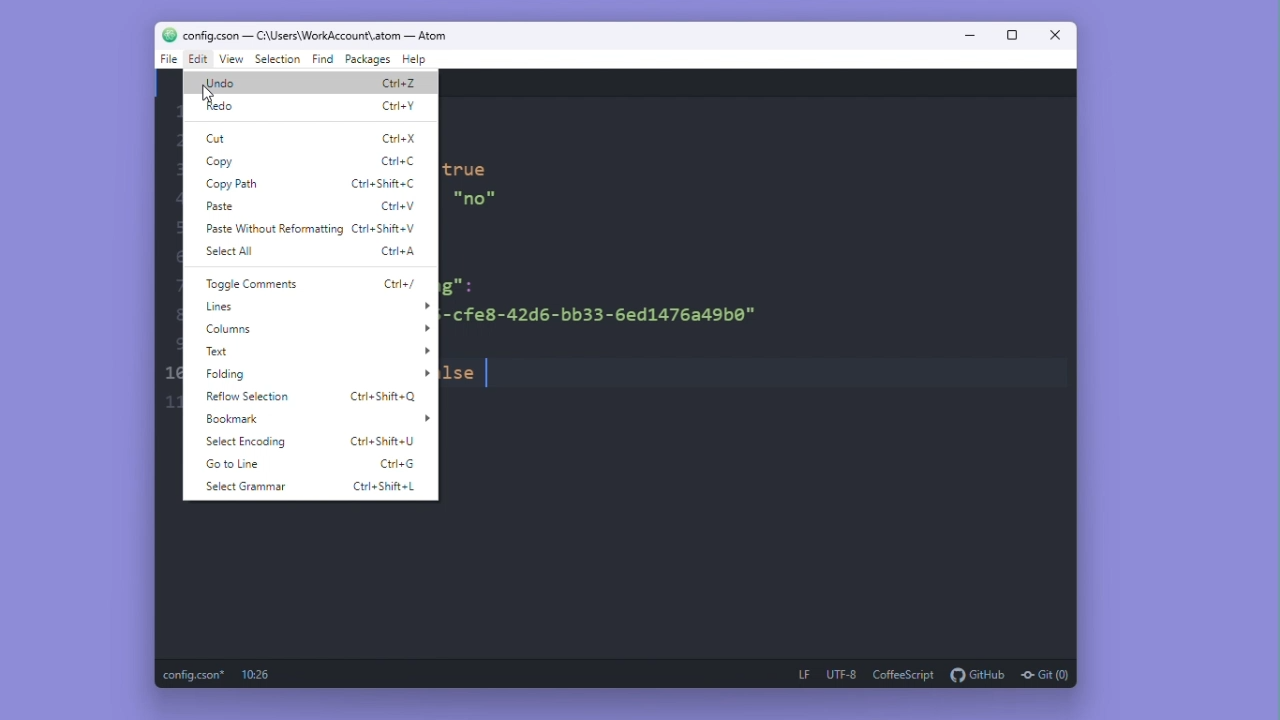 The height and width of the screenshot is (720, 1280). Describe the element at coordinates (401, 253) in the screenshot. I see `ctrl+A` at that location.